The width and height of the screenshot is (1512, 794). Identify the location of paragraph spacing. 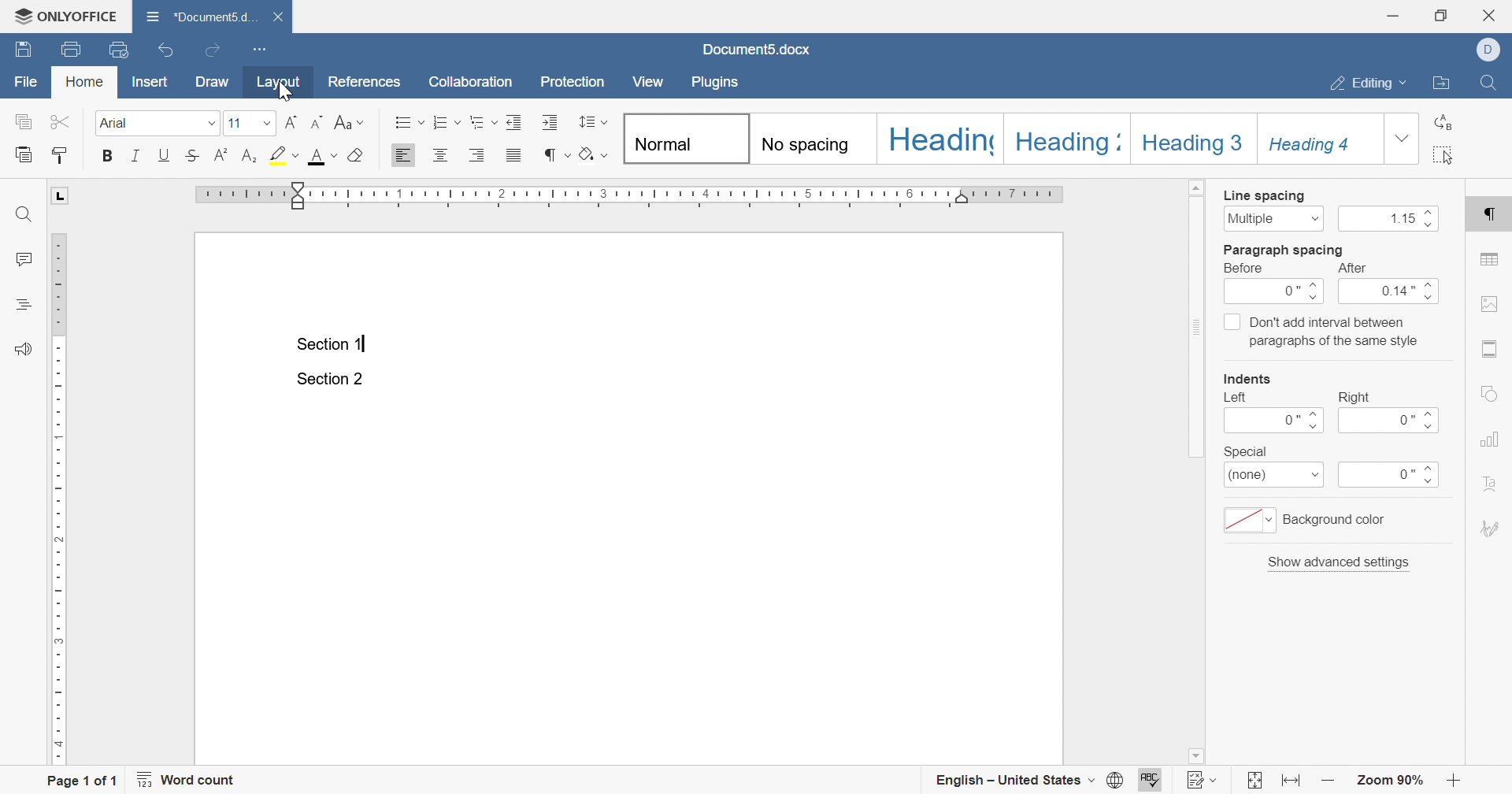
(1284, 250).